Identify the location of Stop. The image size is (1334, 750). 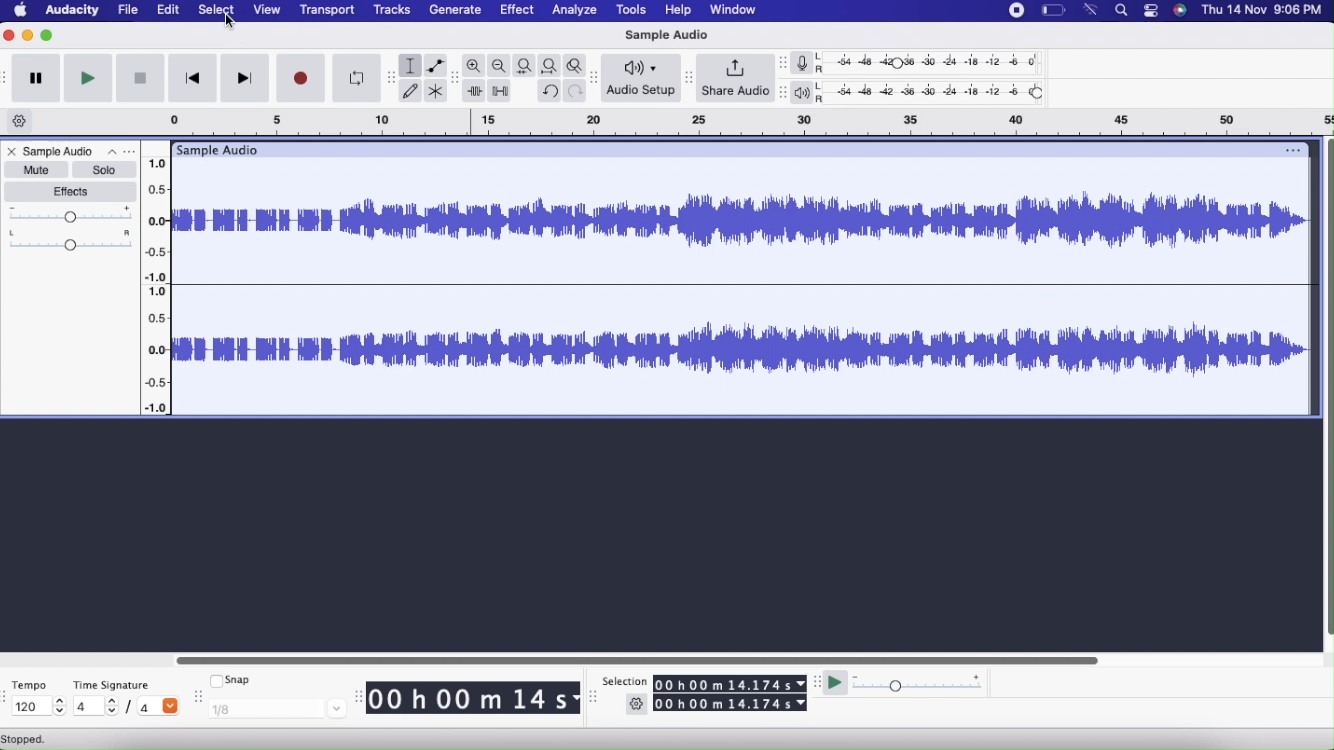
(1016, 11).